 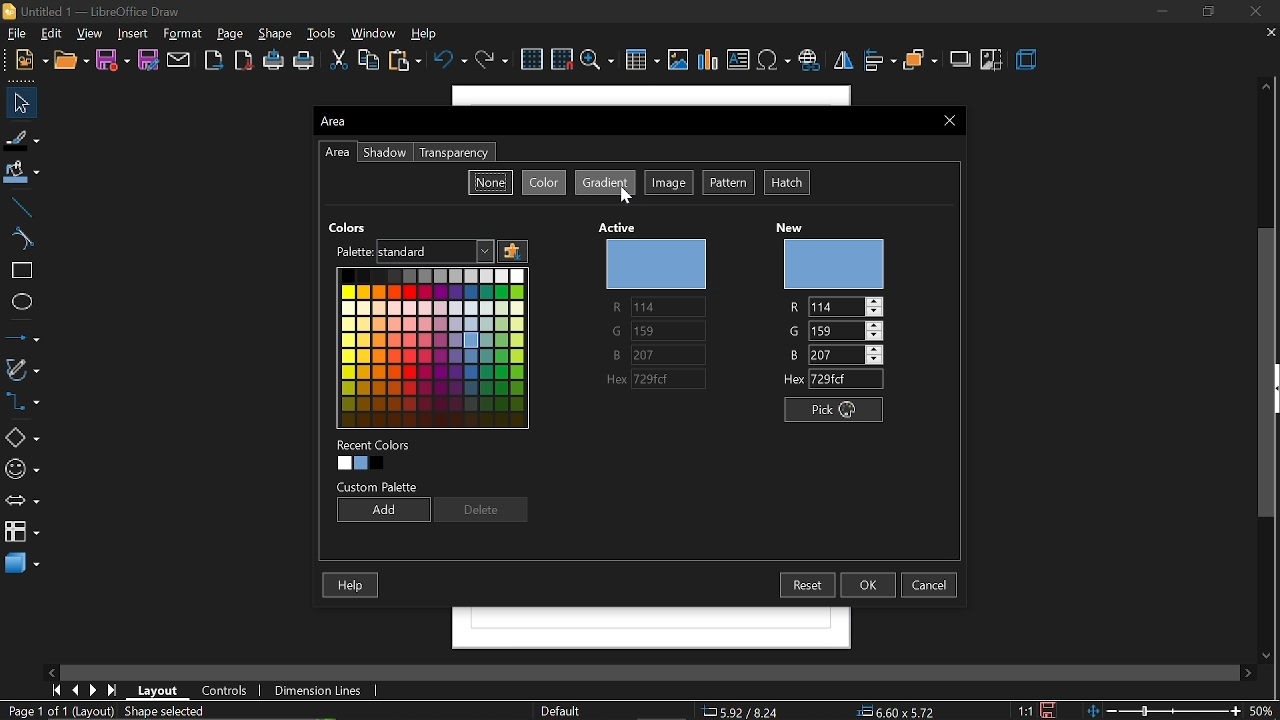 What do you see at coordinates (385, 153) in the screenshot?
I see `shadow` at bounding box center [385, 153].